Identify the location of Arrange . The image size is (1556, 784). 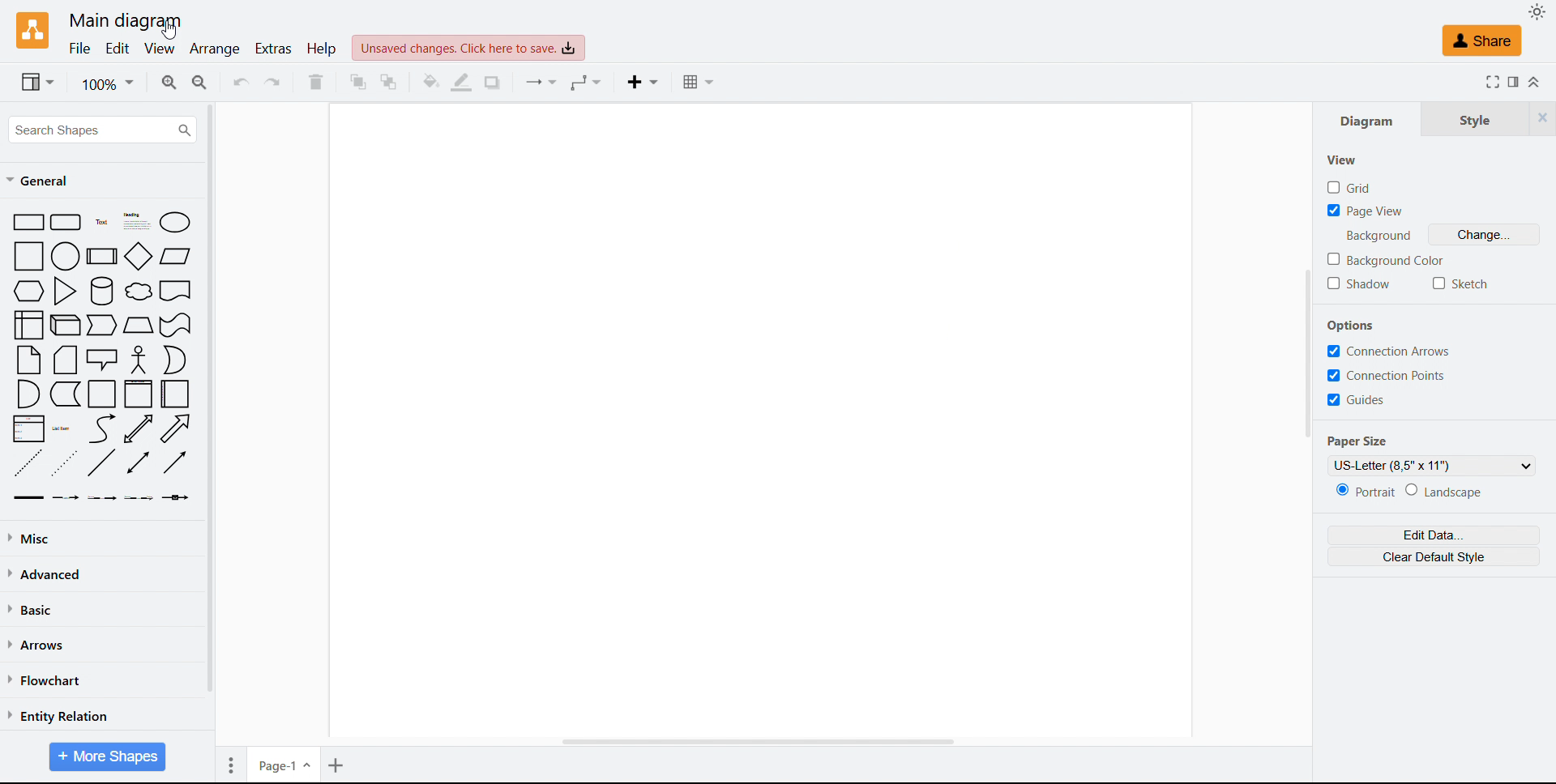
(214, 49).